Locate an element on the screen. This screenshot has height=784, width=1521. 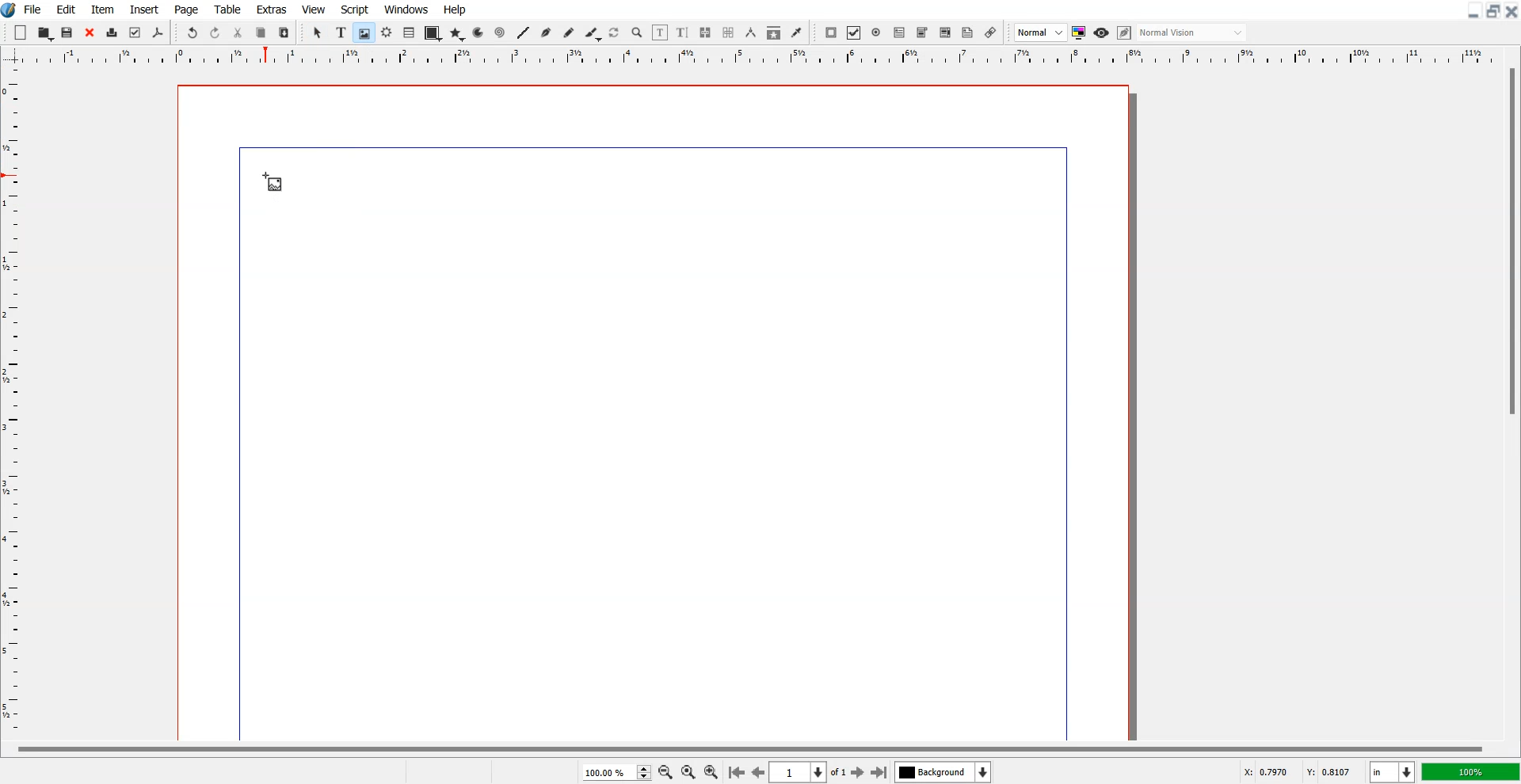
Image frame Curser is located at coordinates (273, 182).